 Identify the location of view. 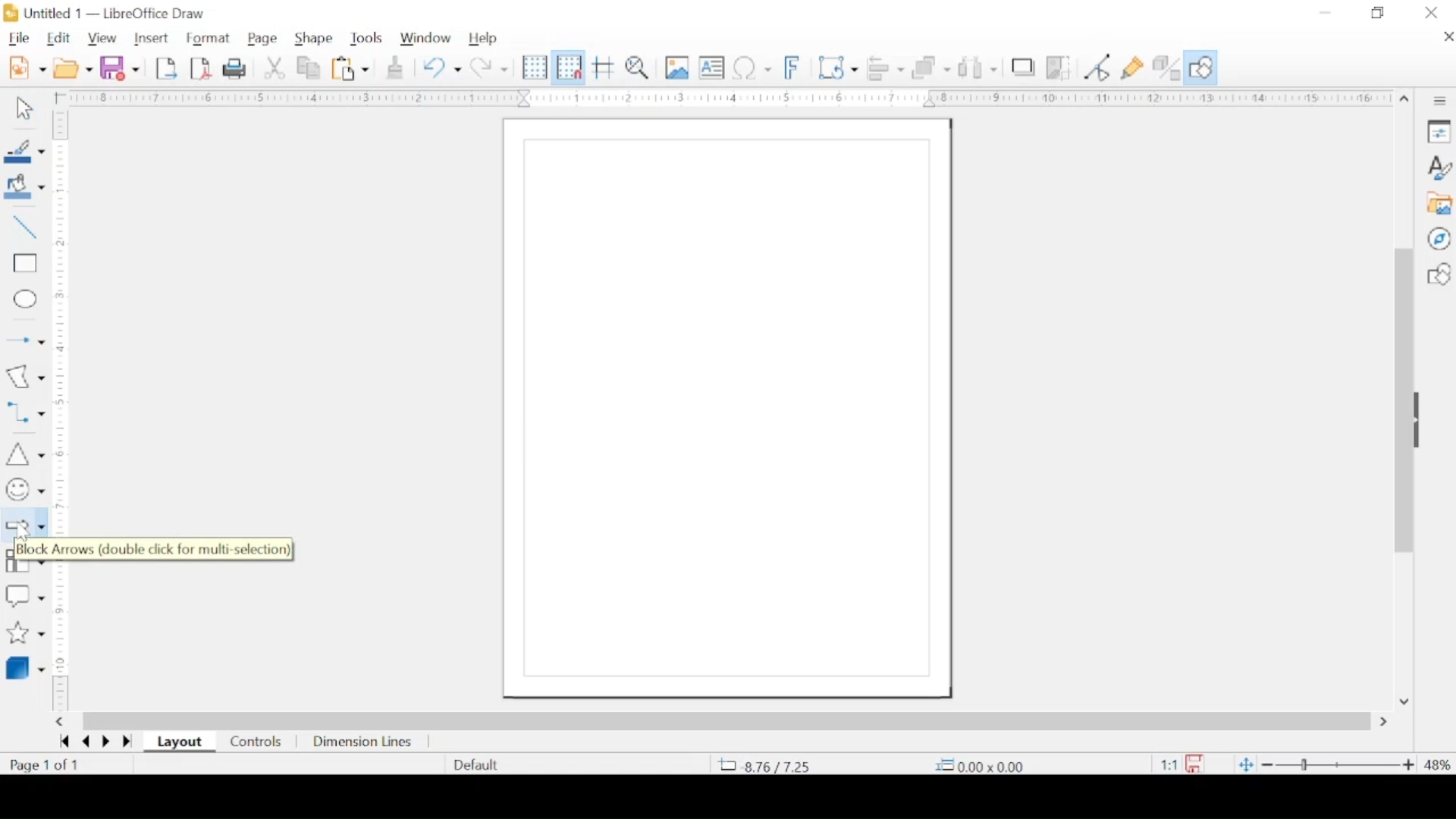
(101, 39).